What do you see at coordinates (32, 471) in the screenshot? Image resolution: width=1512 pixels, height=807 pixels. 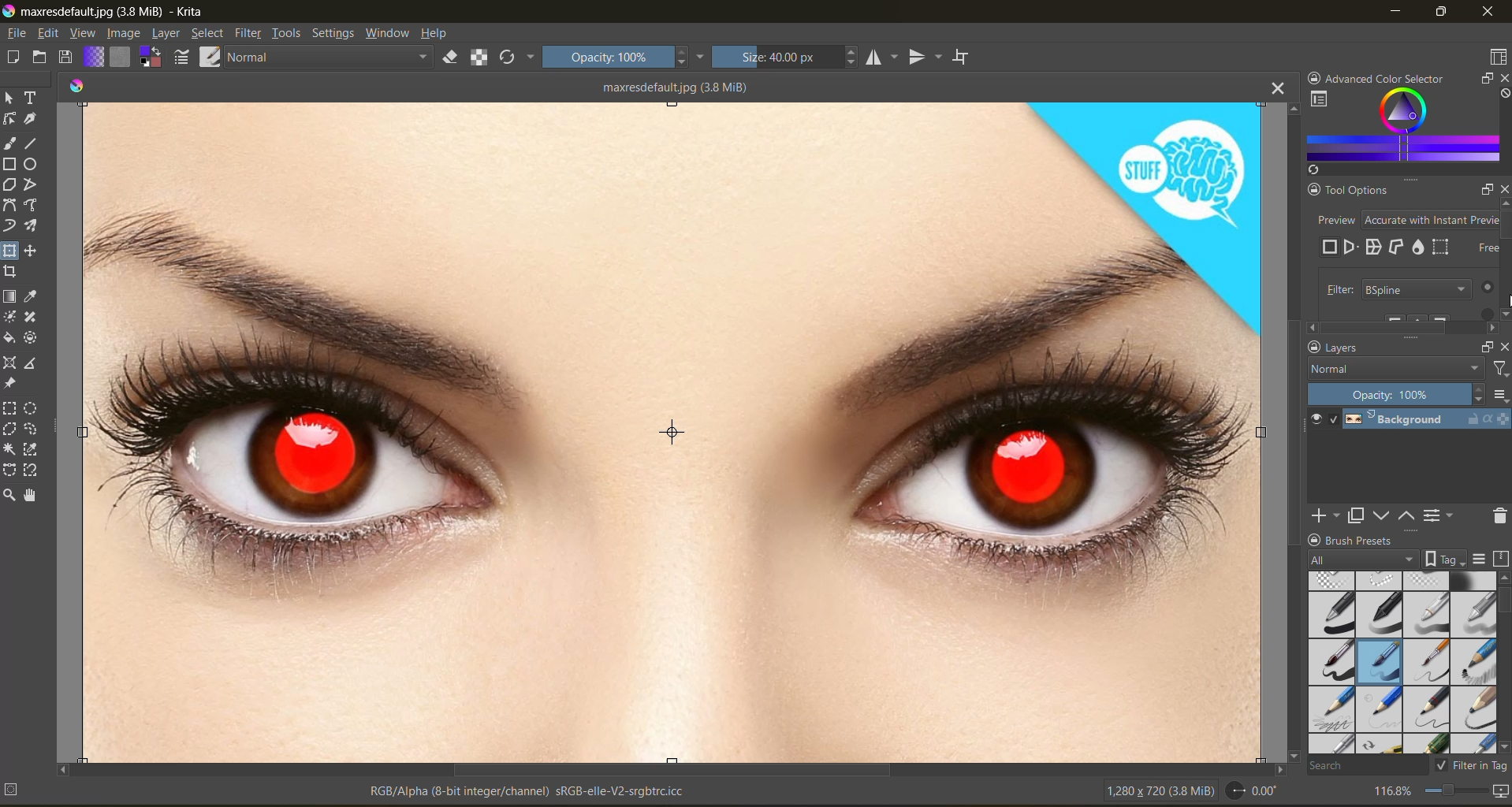 I see `tool` at bounding box center [32, 471].